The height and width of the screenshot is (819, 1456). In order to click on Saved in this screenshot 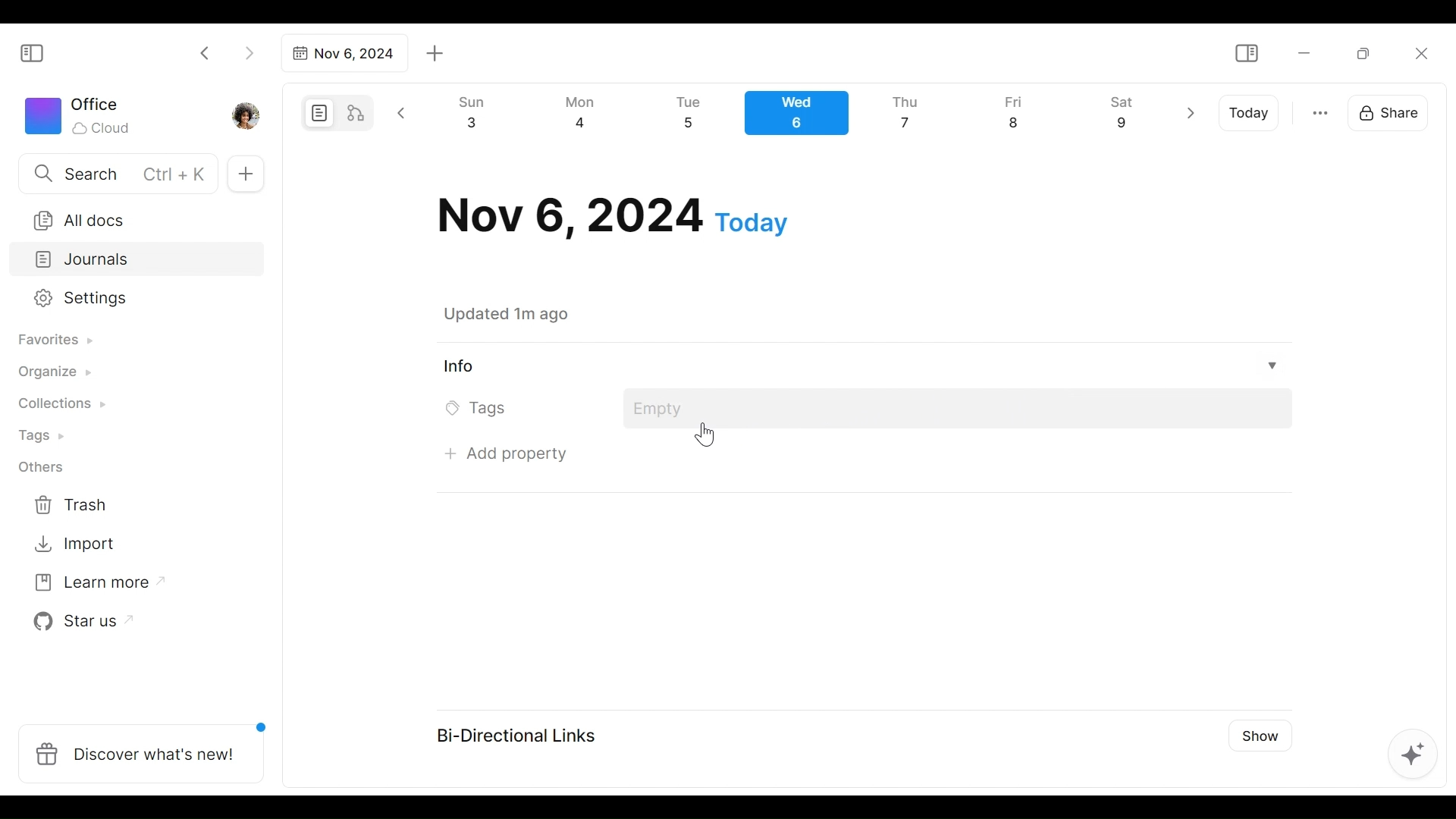, I will do `click(525, 314)`.